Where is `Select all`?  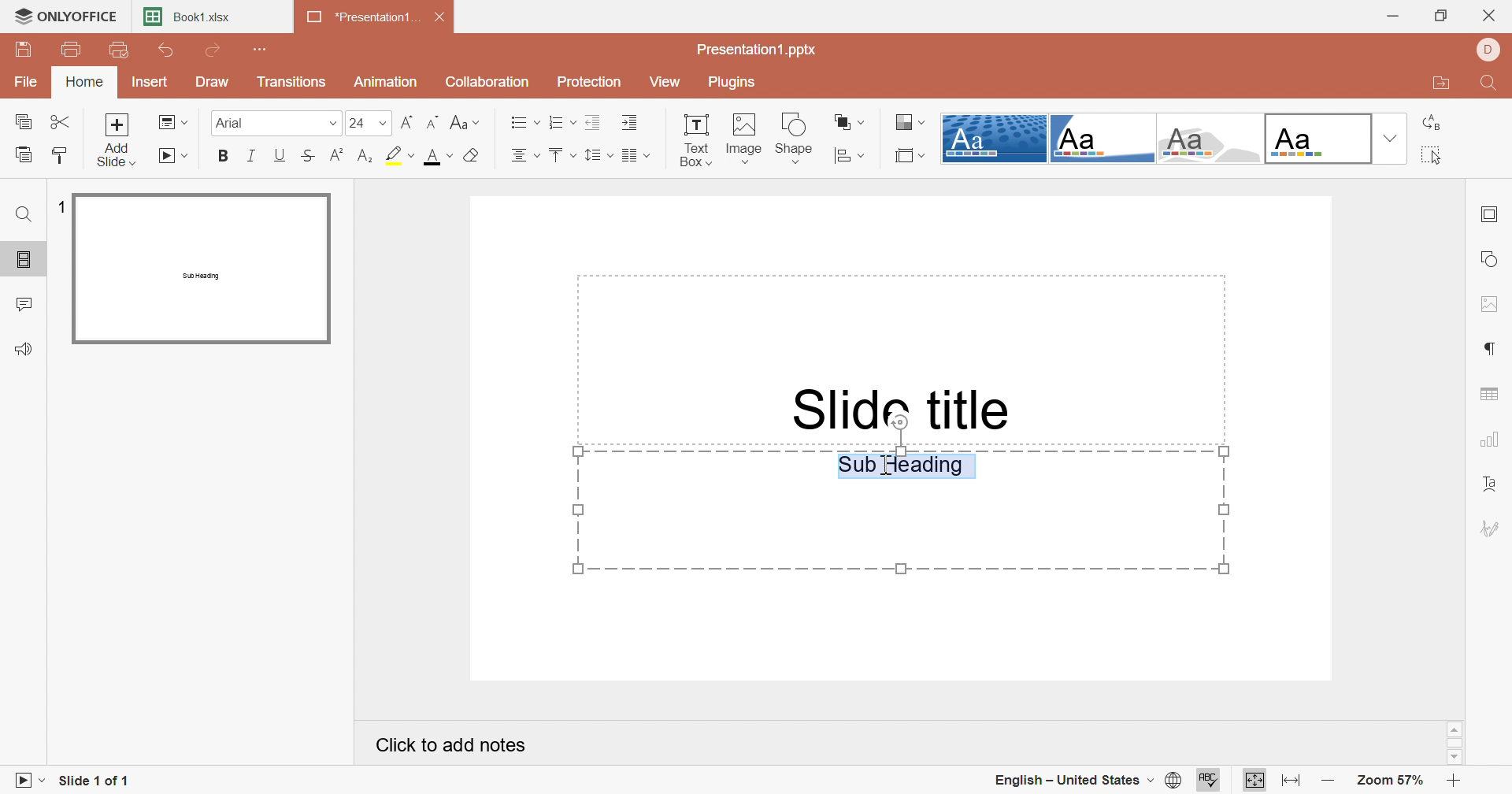 Select all is located at coordinates (1431, 156).